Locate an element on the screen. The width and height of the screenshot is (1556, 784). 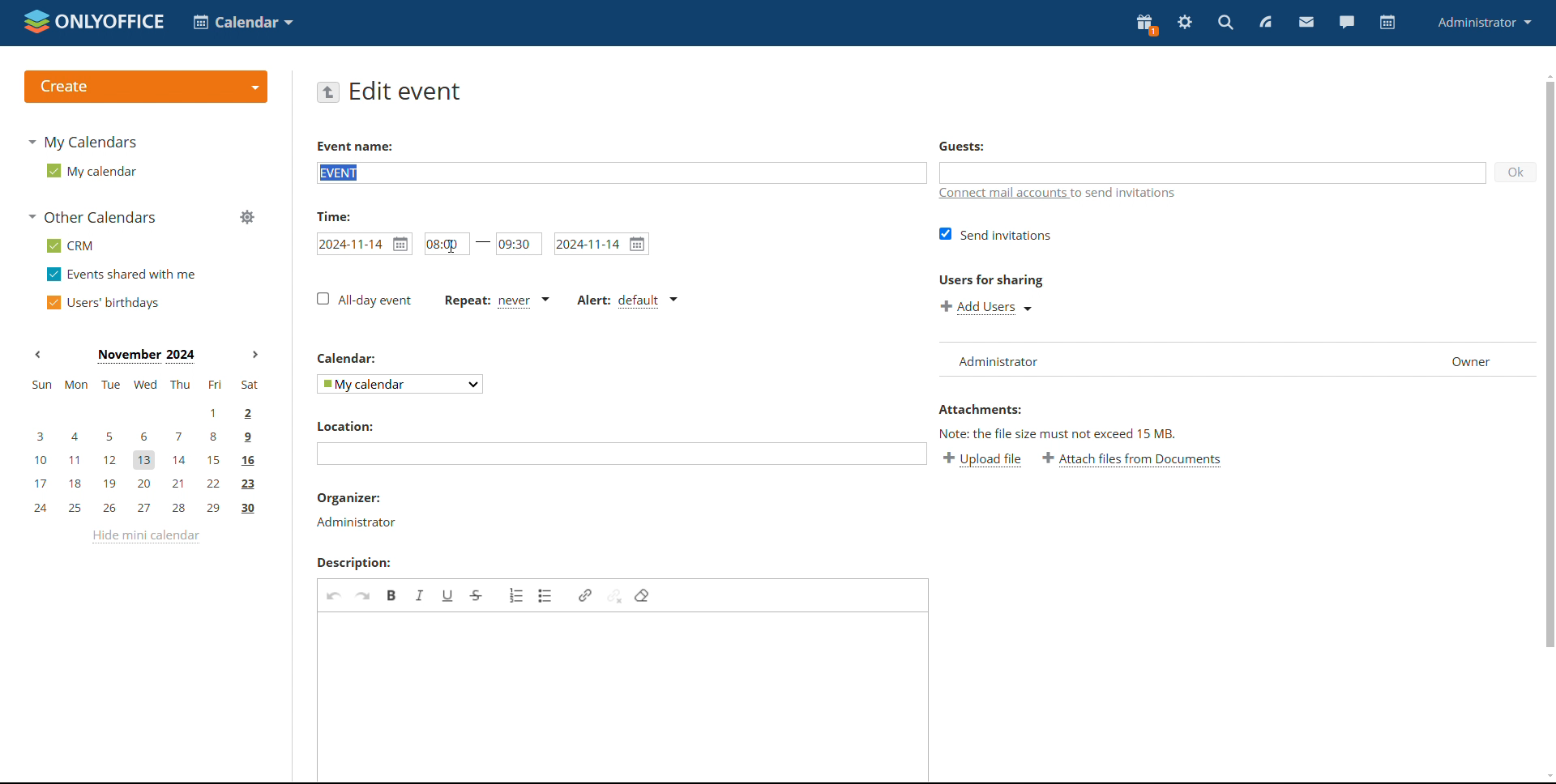
all-day event checkbox is located at coordinates (365, 300).